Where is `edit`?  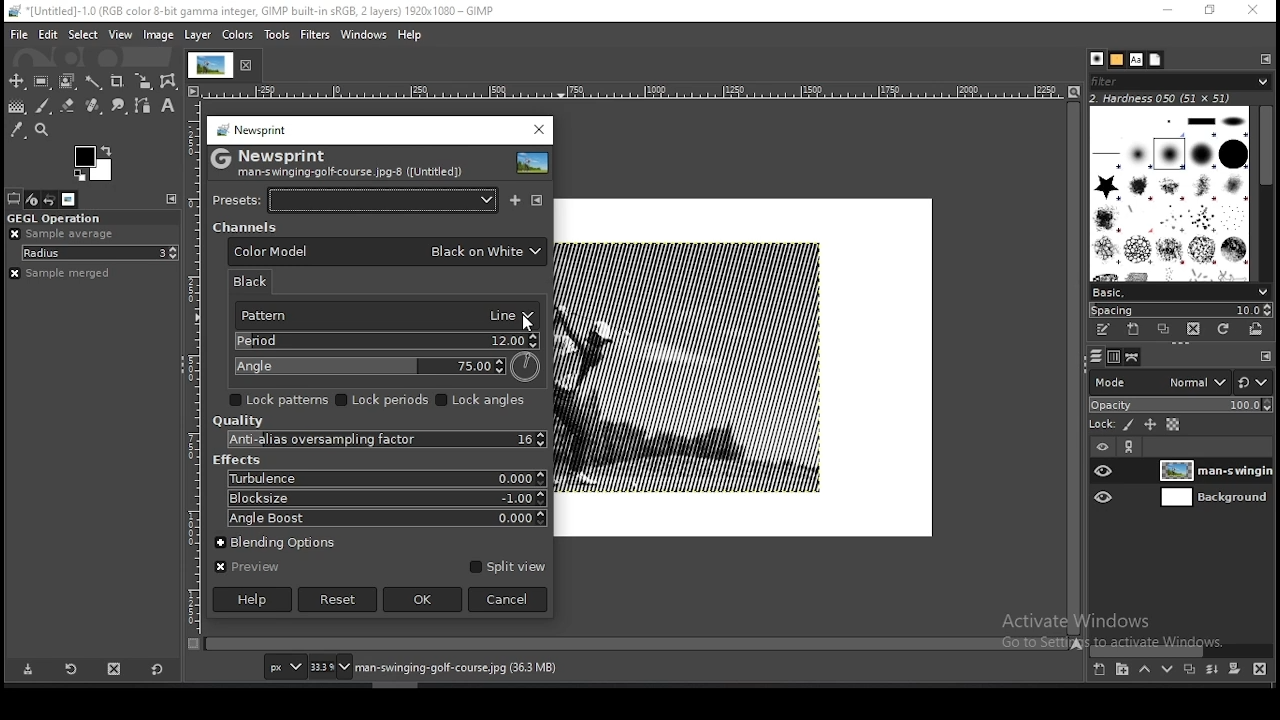 edit is located at coordinates (48, 36).